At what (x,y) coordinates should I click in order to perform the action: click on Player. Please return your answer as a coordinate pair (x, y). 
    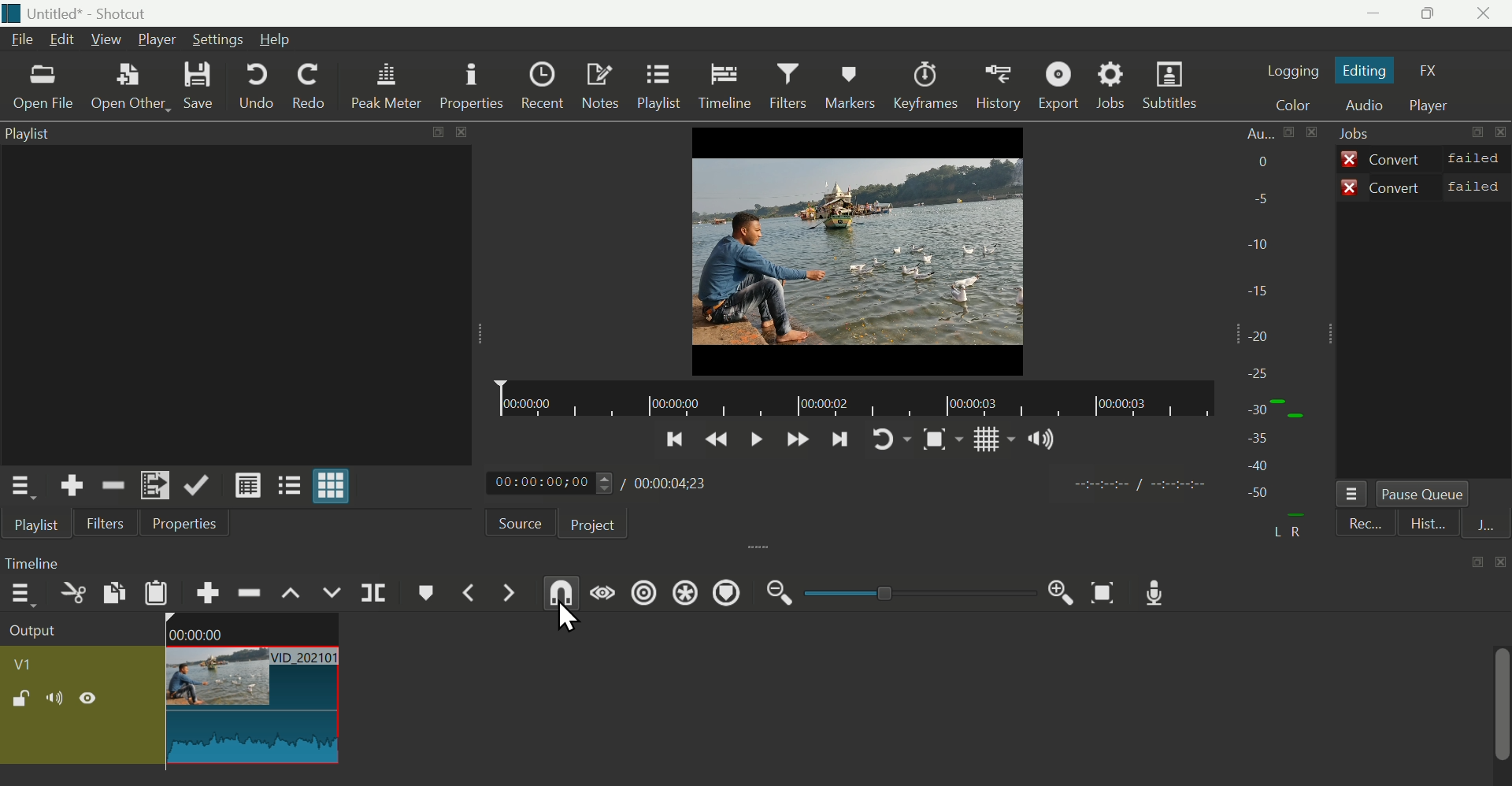
    Looking at the image, I should click on (1432, 106).